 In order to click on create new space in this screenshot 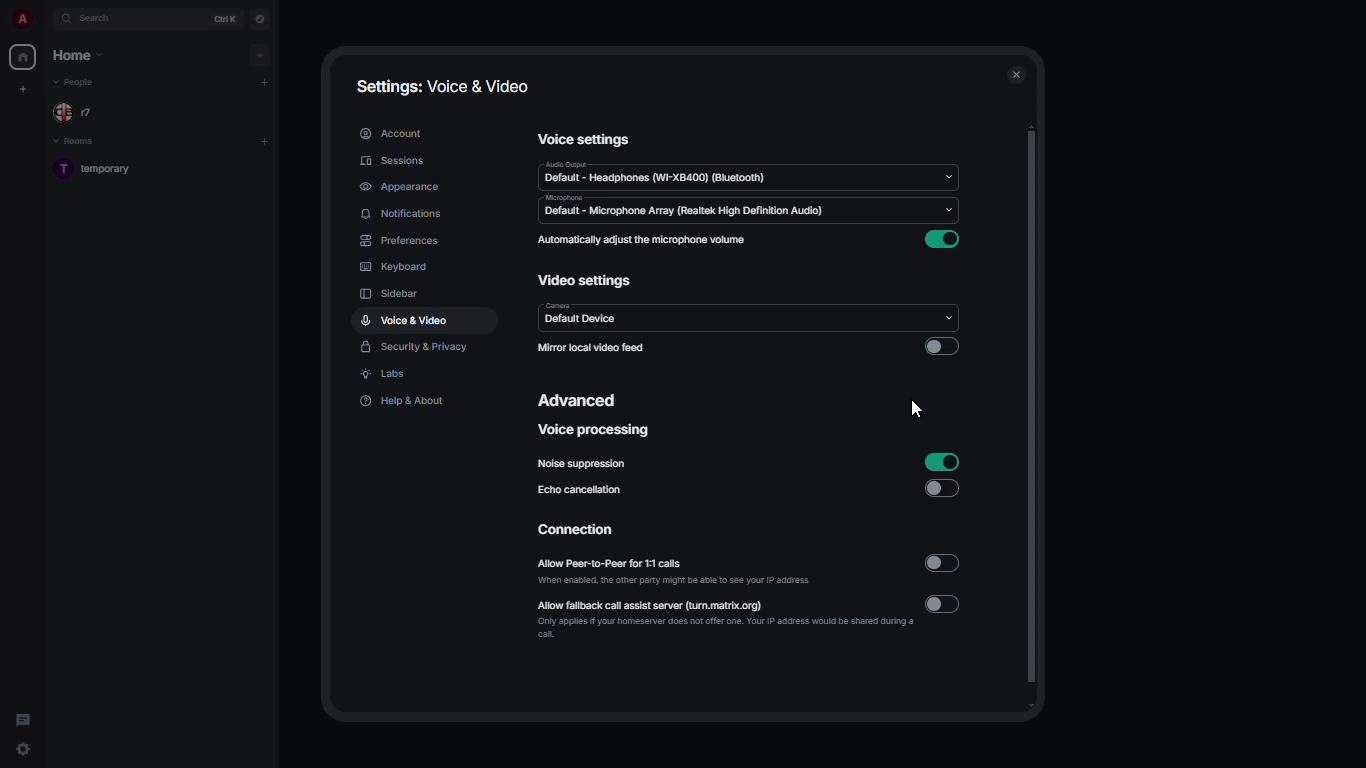, I will do `click(27, 87)`.